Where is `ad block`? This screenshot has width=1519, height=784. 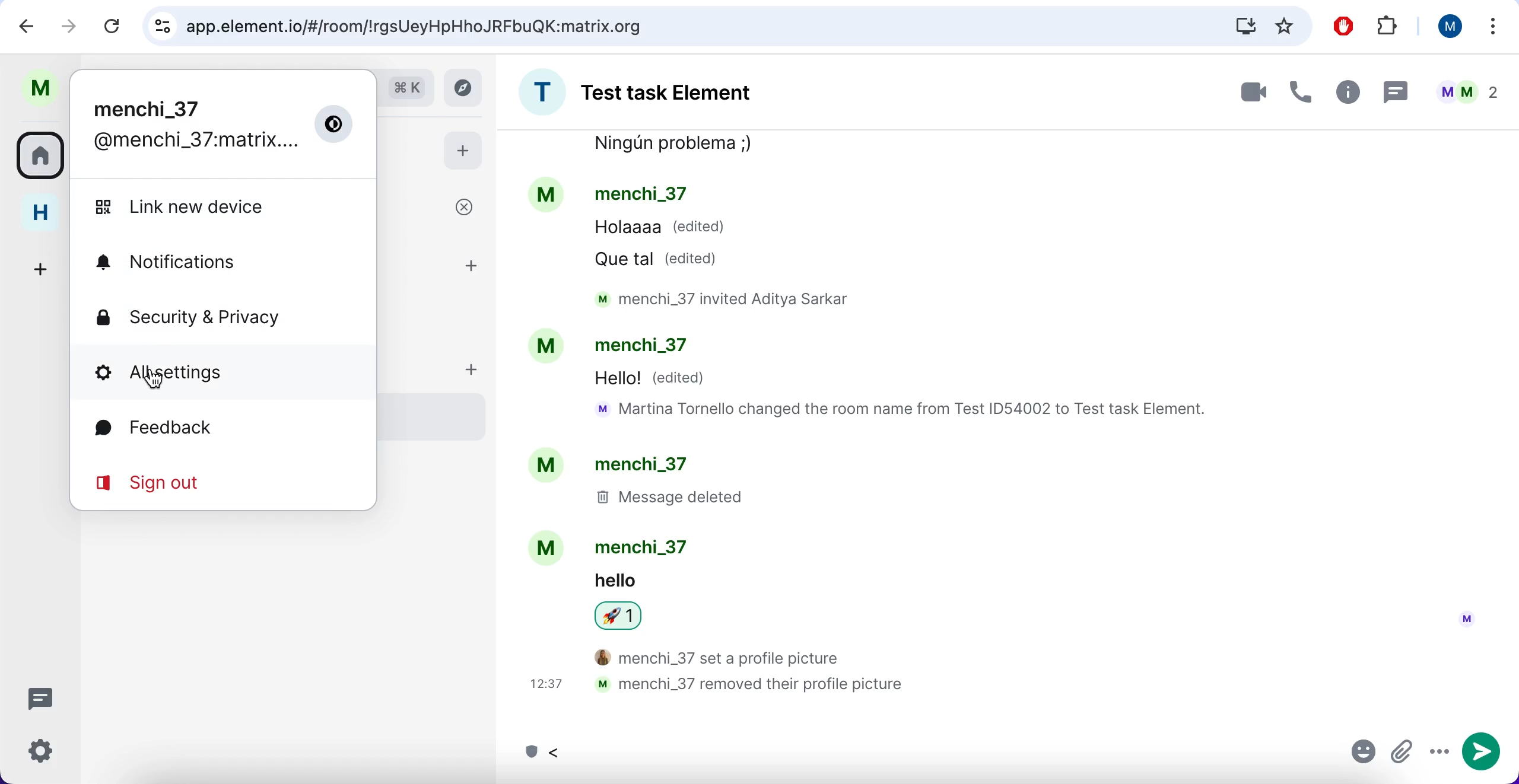
ad block is located at coordinates (1340, 26).